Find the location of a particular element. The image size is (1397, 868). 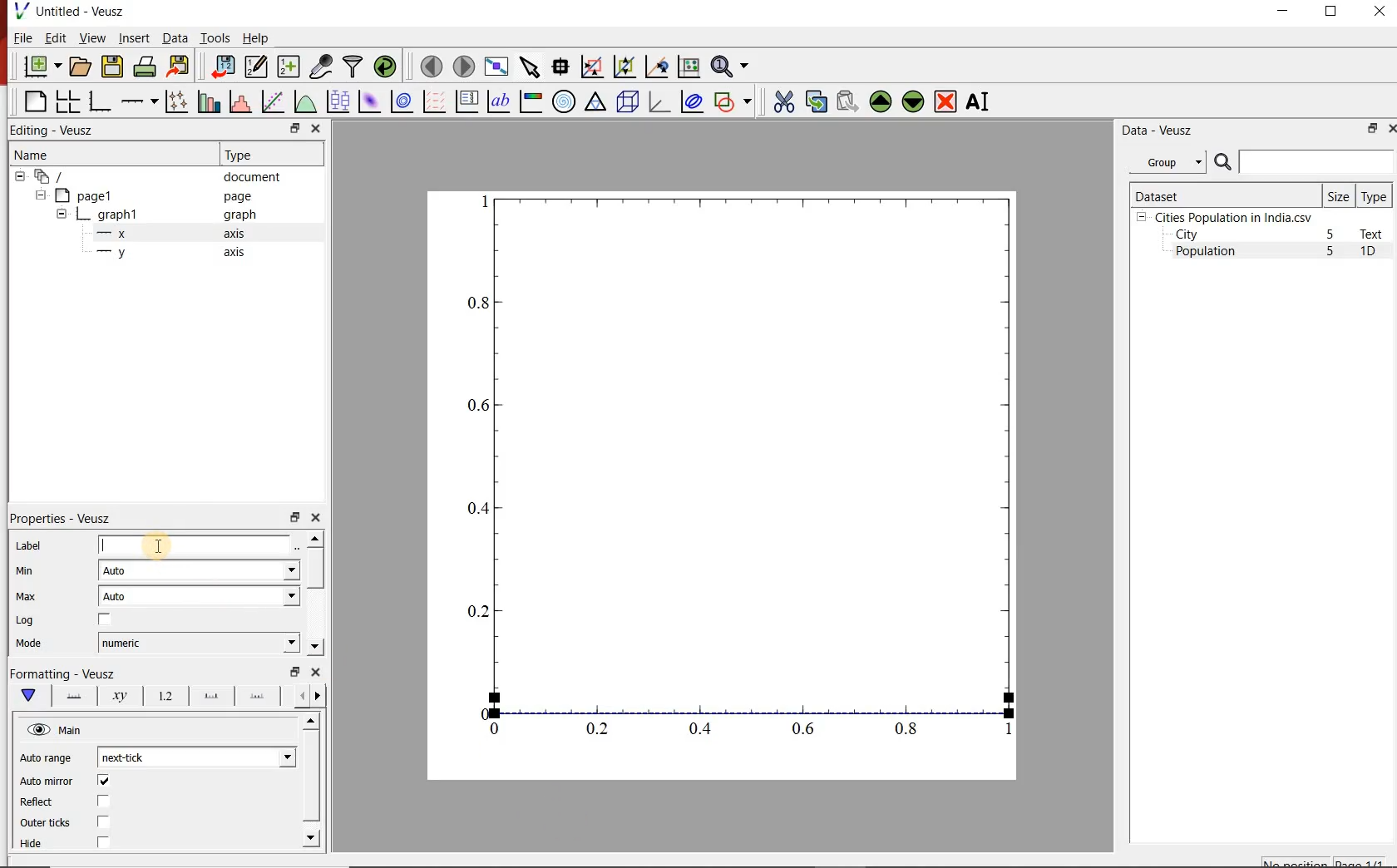

Auto is located at coordinates (200, 570).